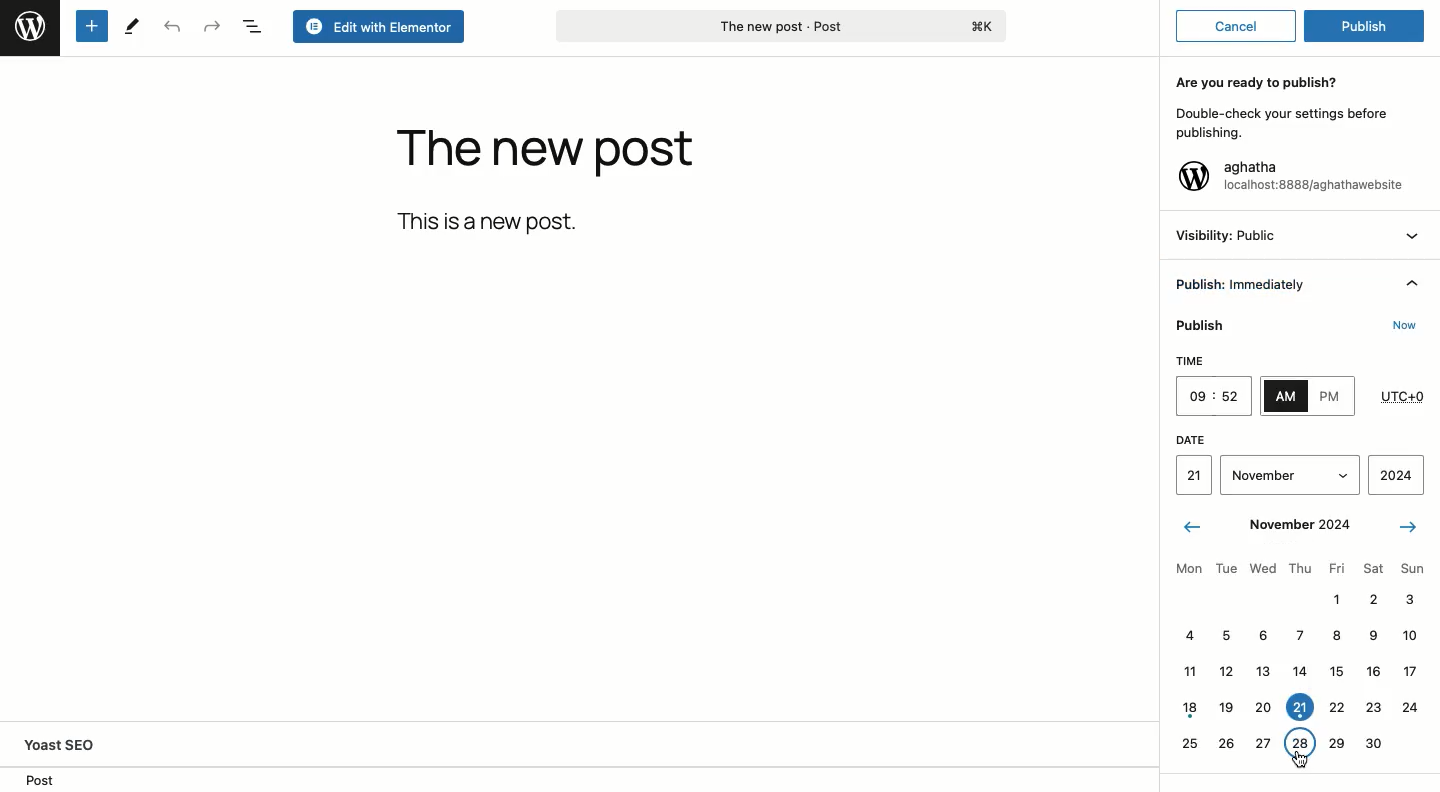  I want to click on The new post - Post, so click(779, 27).